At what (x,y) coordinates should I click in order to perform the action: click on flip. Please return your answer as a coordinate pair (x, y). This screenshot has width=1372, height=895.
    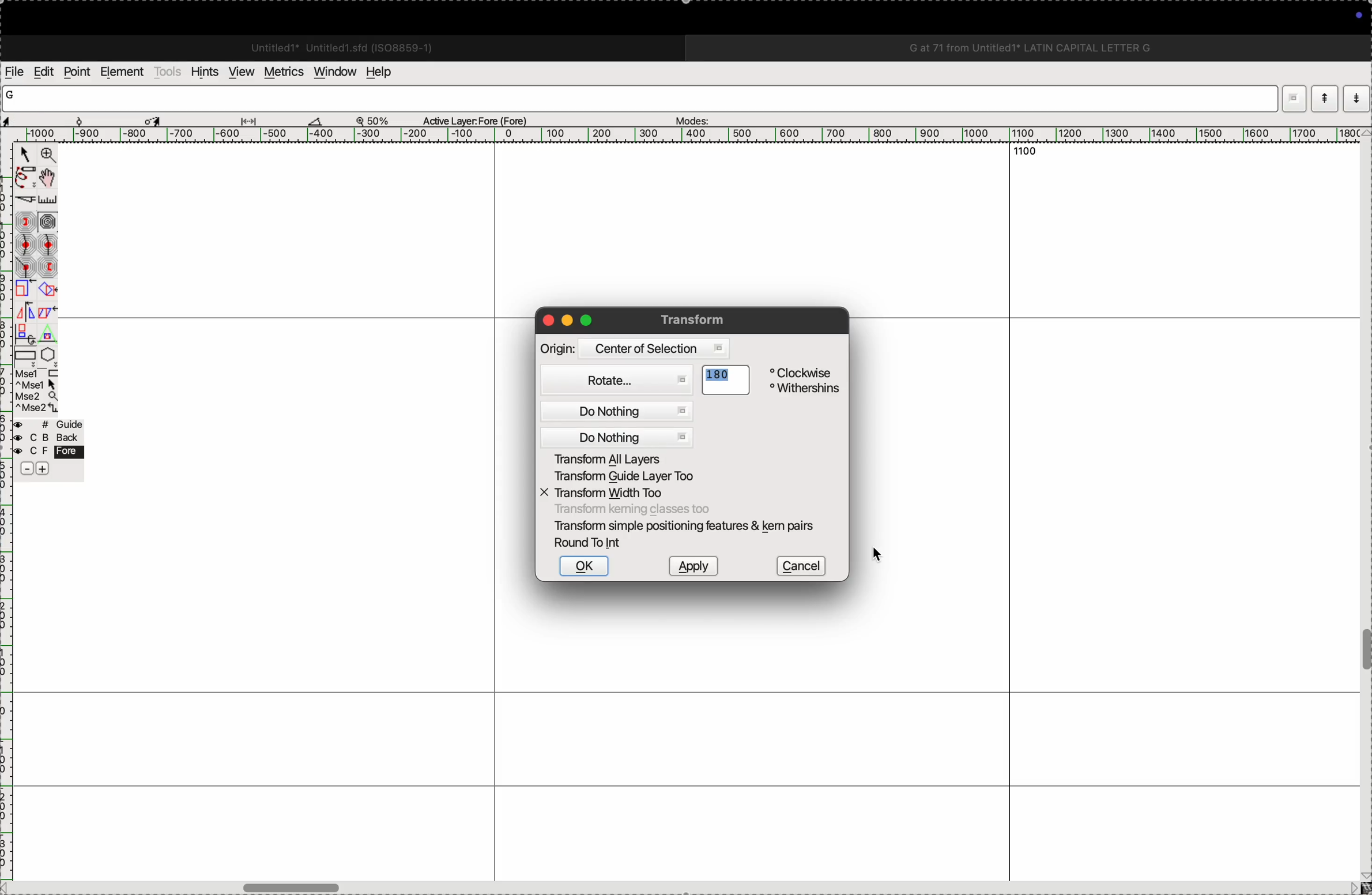
    Looking at the image, I should click on (25, 312).